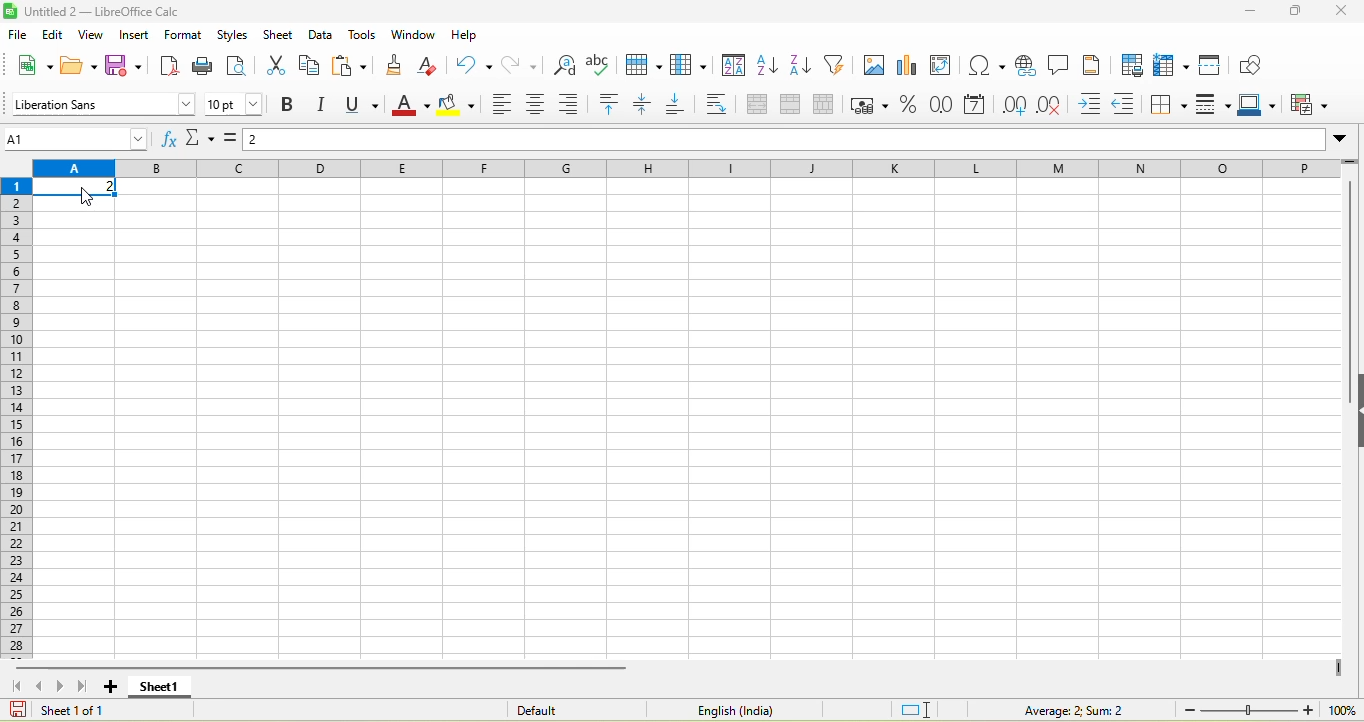 The image size is (1364, 722). What do you see at coordinates (1025, 65) in the screenshot?
I see `hyperlink` at bounding box center [1025, 65].